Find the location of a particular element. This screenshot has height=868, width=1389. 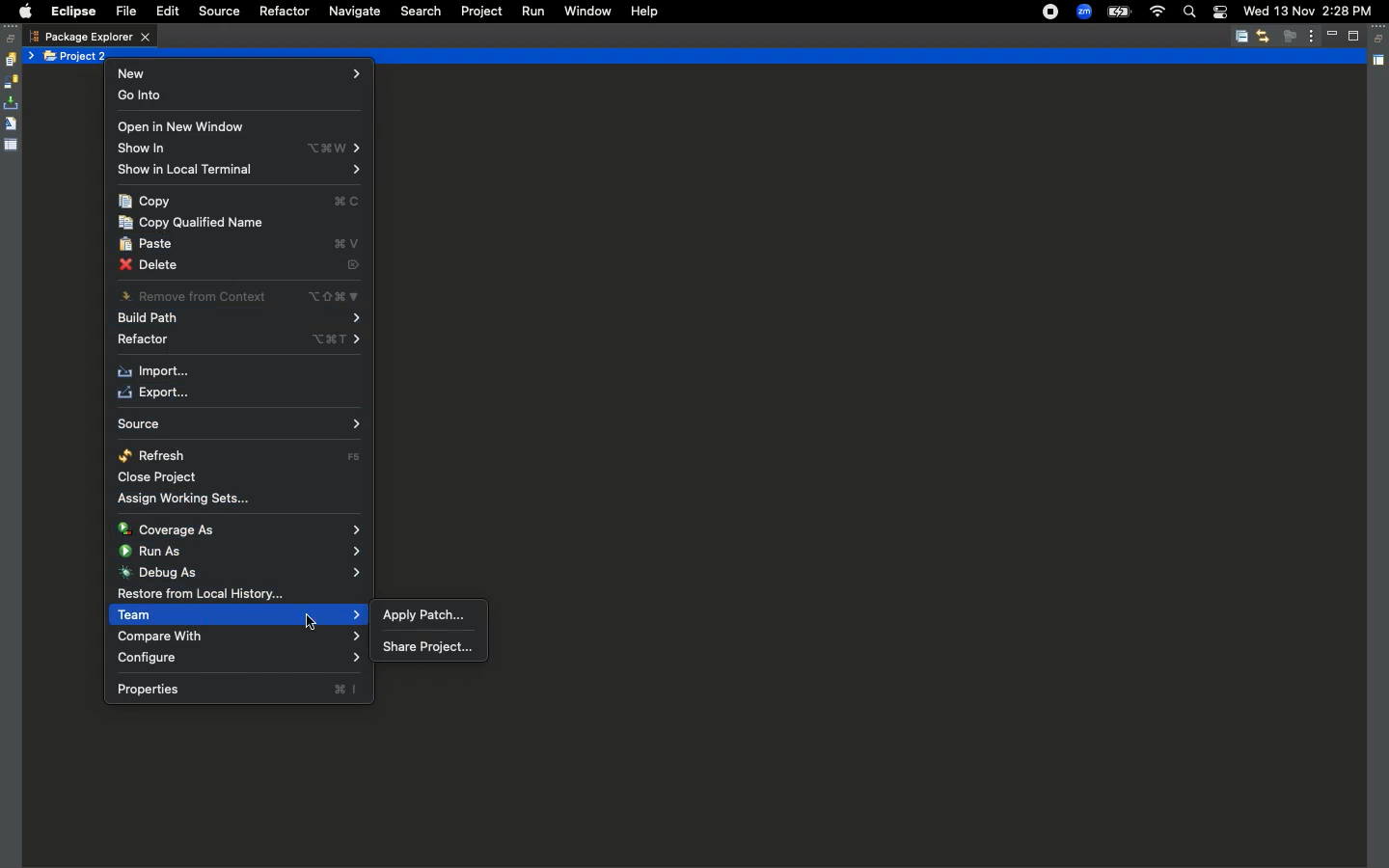

Navigate is located at coordinates (353, 13).